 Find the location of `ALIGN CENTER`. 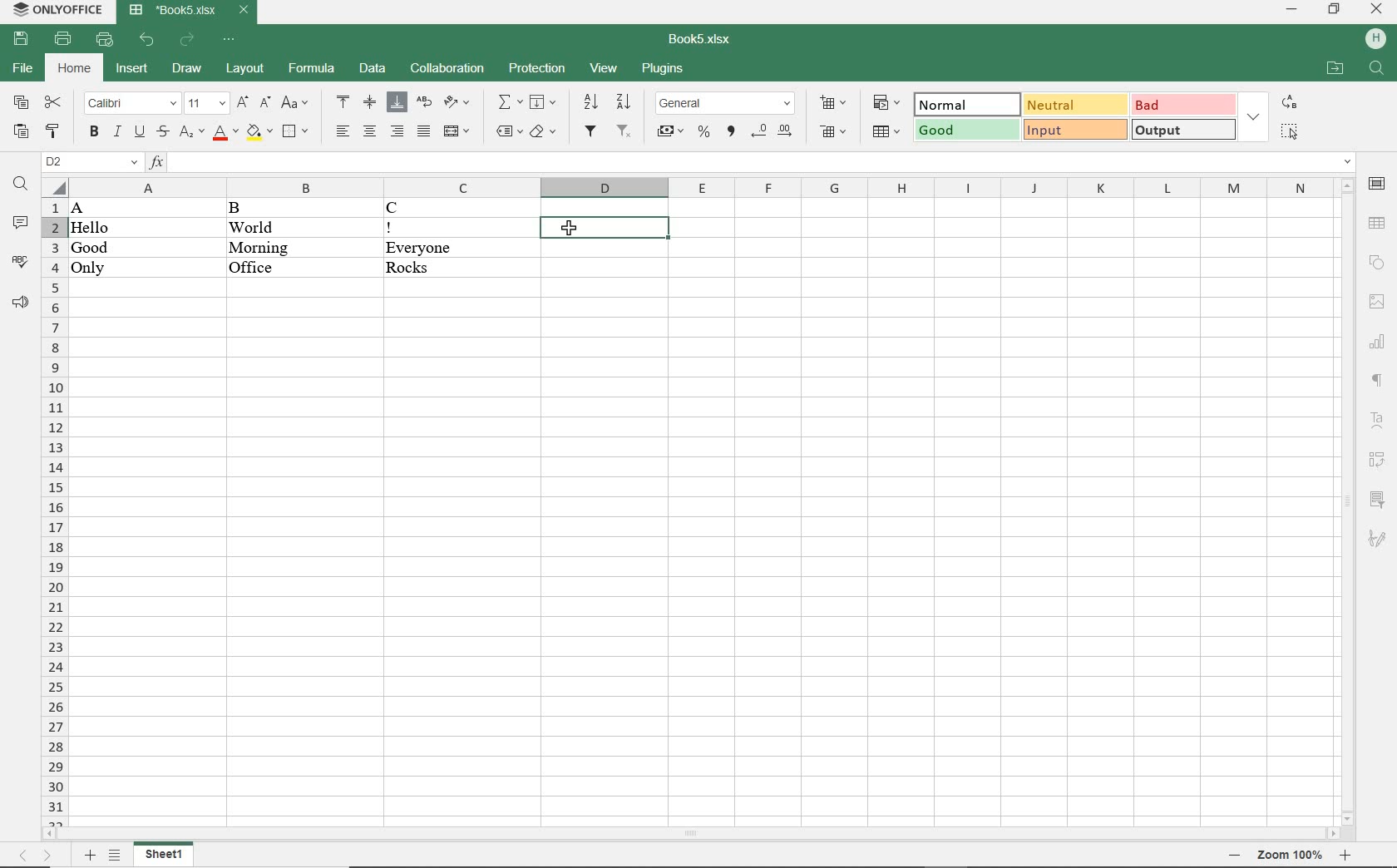

ALIGN CENTER is located at coordinates (370, 101).